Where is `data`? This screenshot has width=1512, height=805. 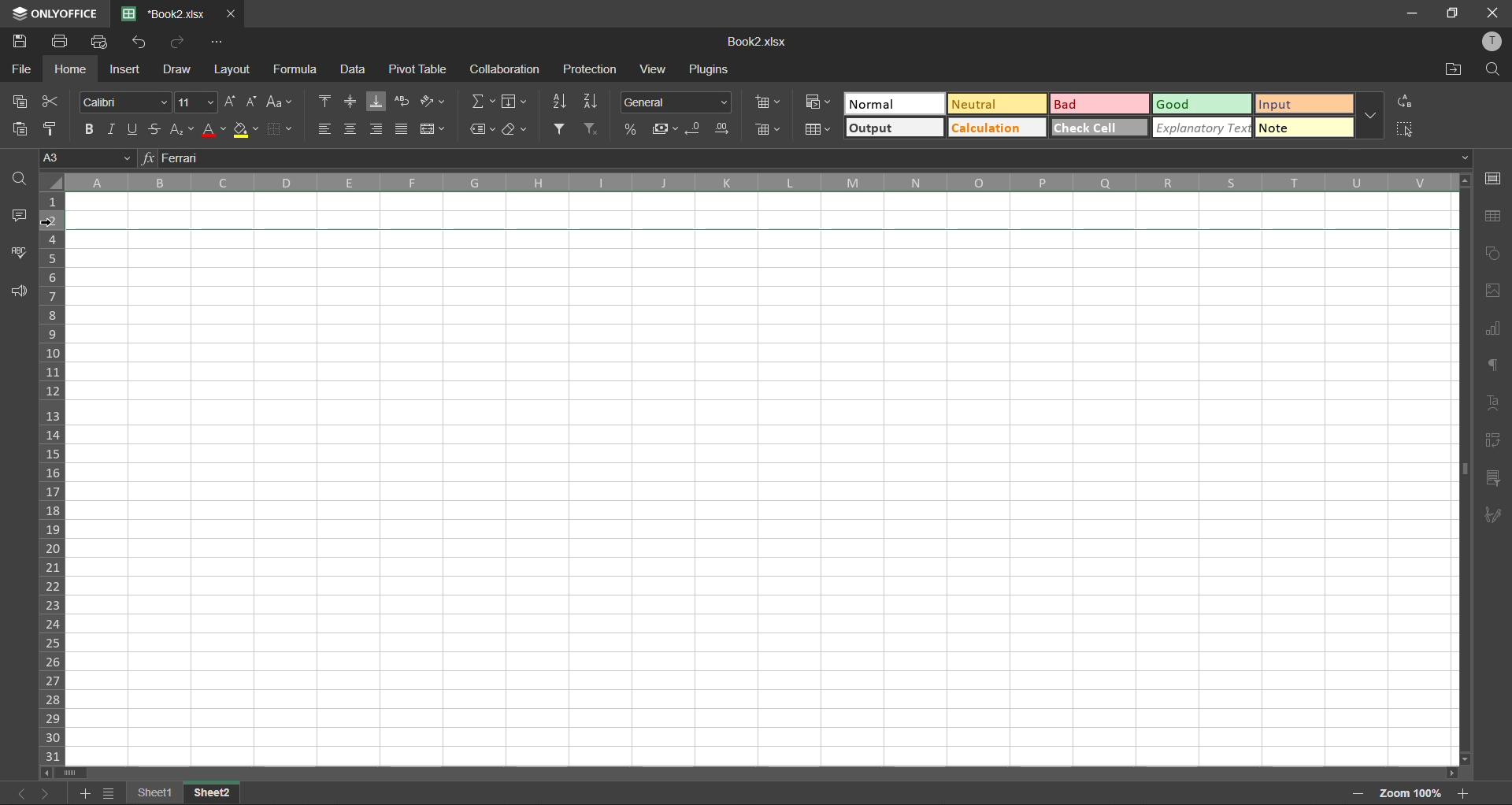 data is located at coordinates (353, 69).